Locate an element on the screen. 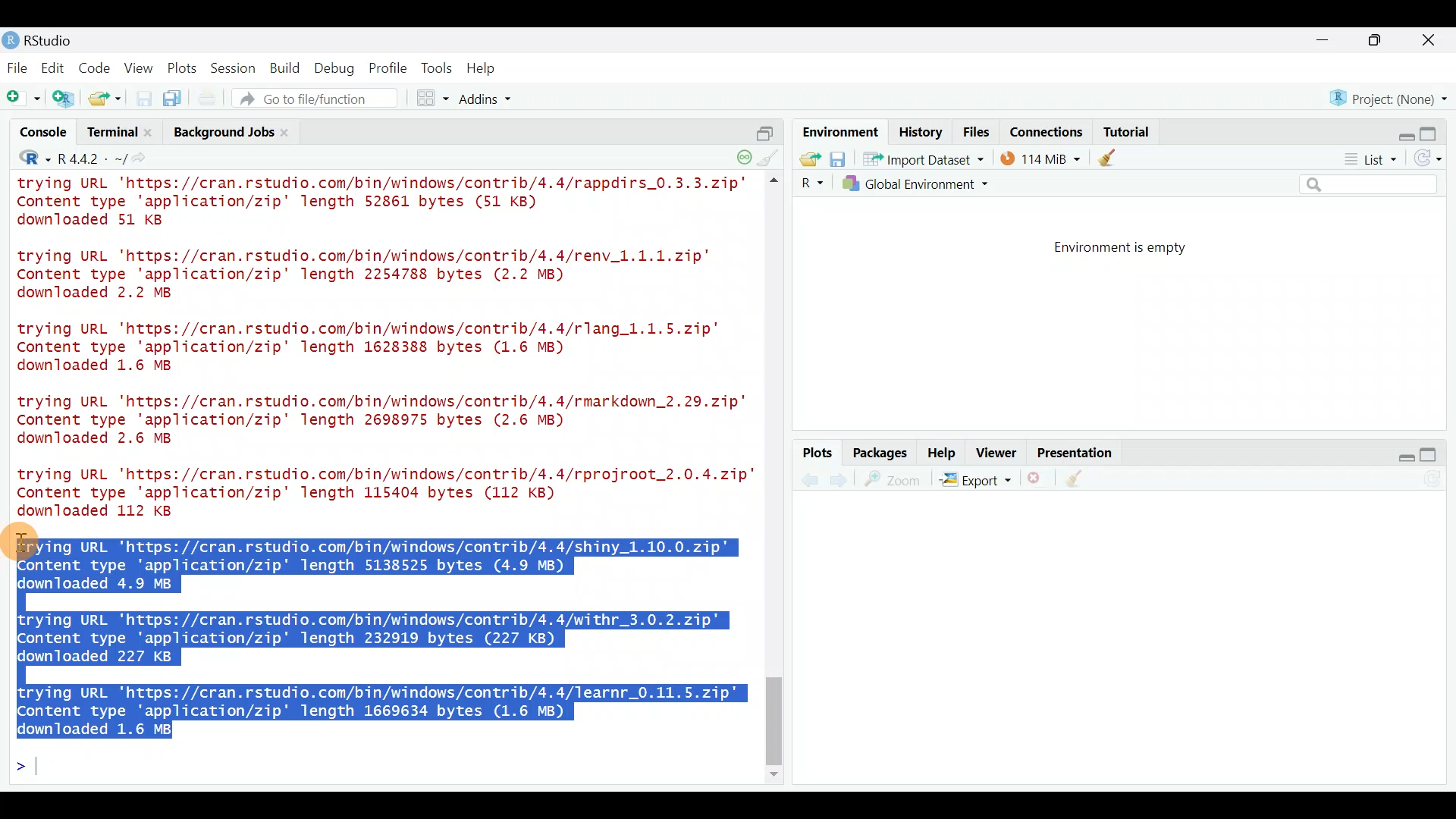 Image resolution: width=1456 pixels, height=819 pixels. Profile is located at coordinates (388, 67).